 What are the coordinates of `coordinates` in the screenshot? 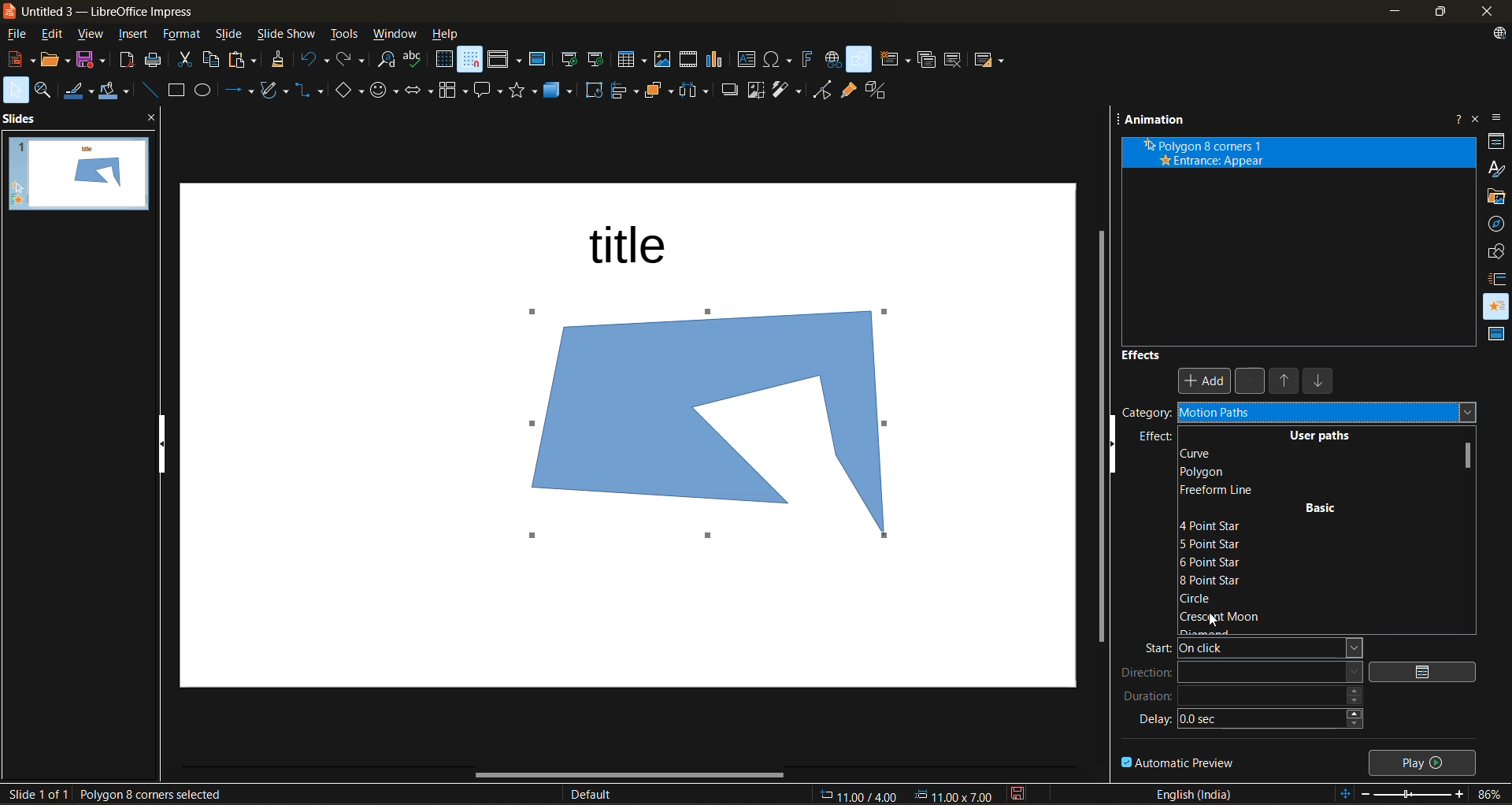 It's located at (906, 793).